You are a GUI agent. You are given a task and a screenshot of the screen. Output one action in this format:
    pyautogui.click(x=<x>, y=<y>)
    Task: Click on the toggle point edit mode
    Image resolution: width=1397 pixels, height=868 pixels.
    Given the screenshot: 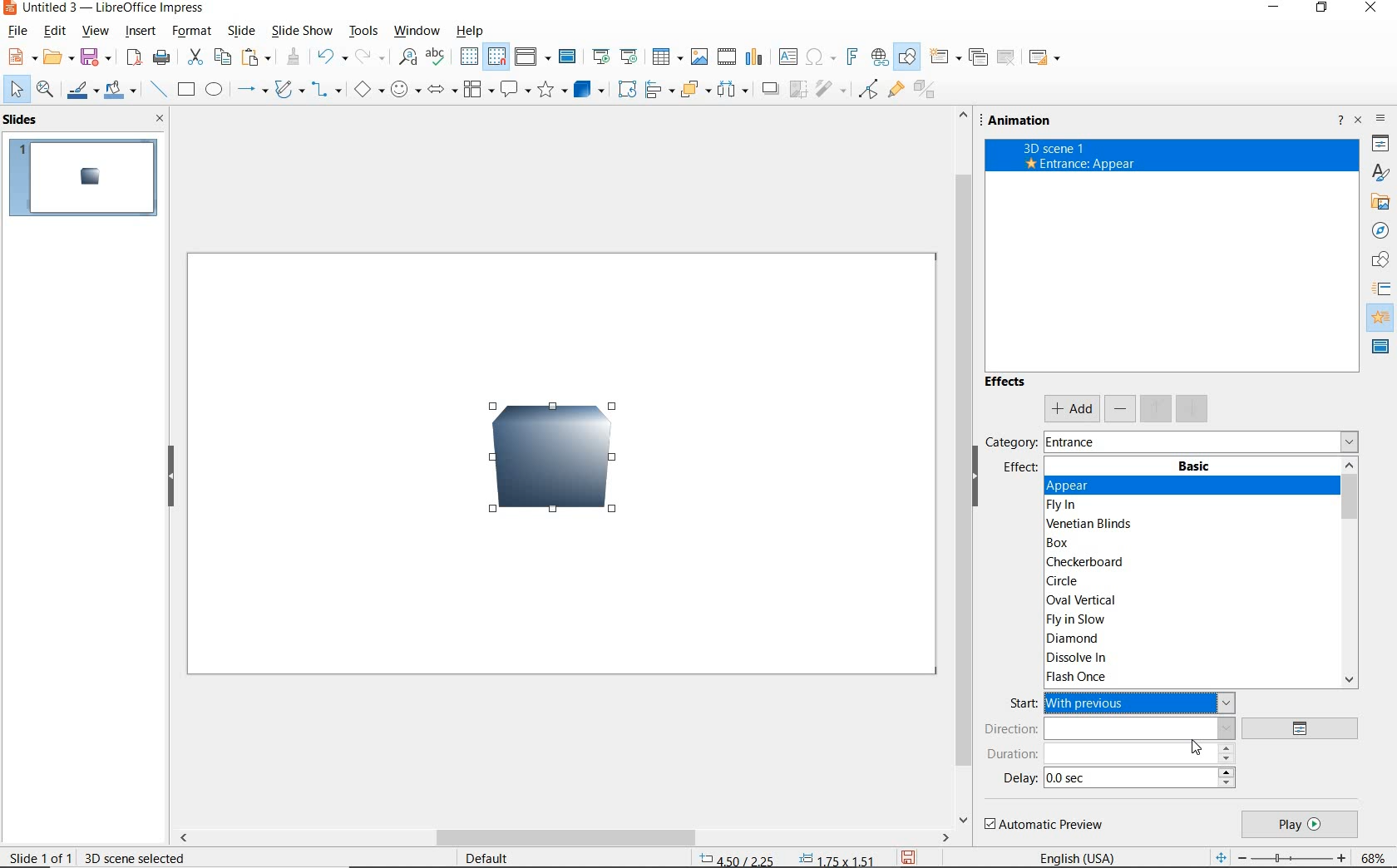 What is the action you would take?
    pyautogui.click(x=869, y=87)
    